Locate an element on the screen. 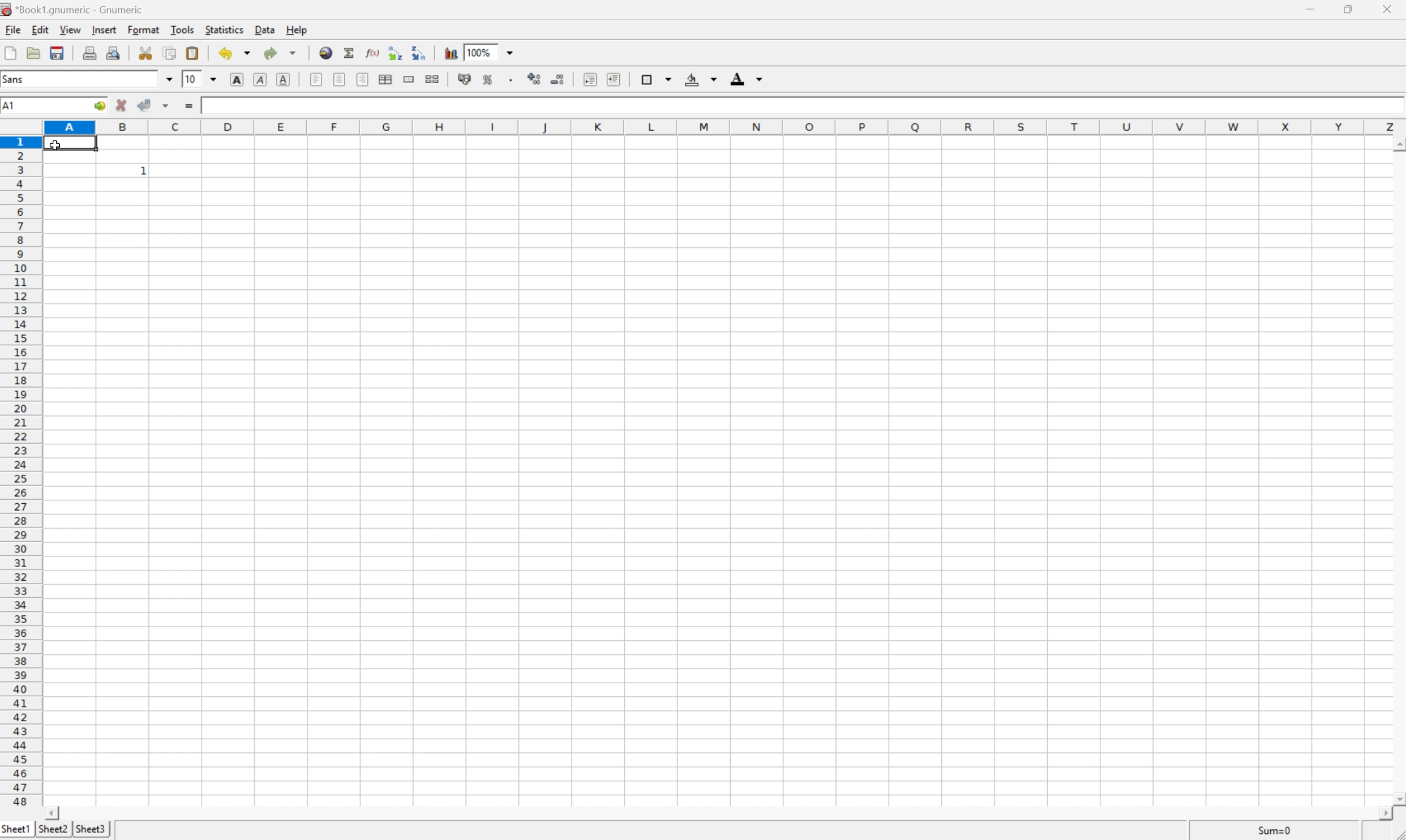 Image resolution: width=1406 pixels, height=840 pixels. decrease number of decimals displayed is located at coordinates (559, 79).